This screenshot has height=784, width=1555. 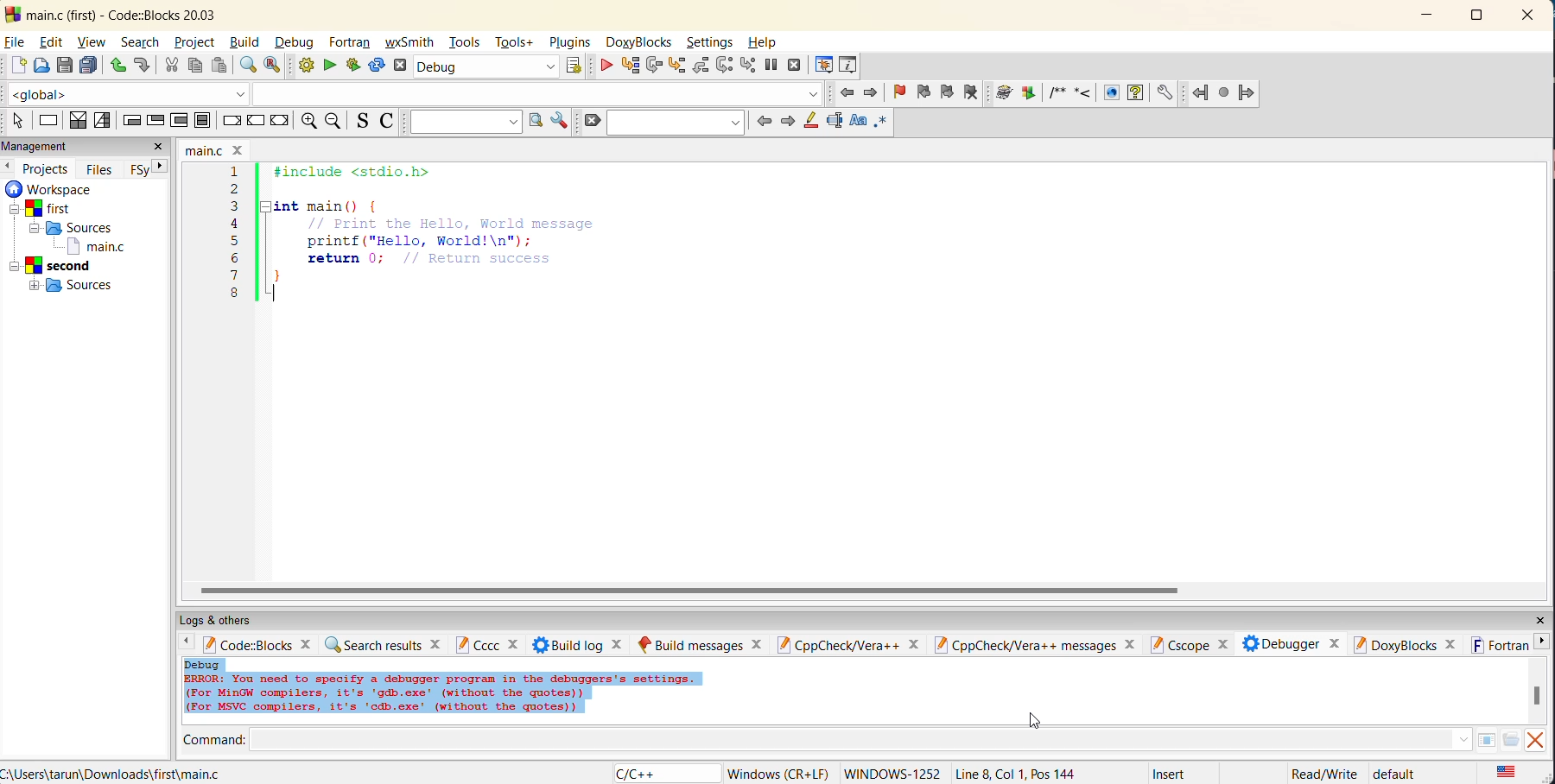 What do you see at coordinates (333, 121) in the screenshot?
I see `zoom out` at bounding box center [333, 121].